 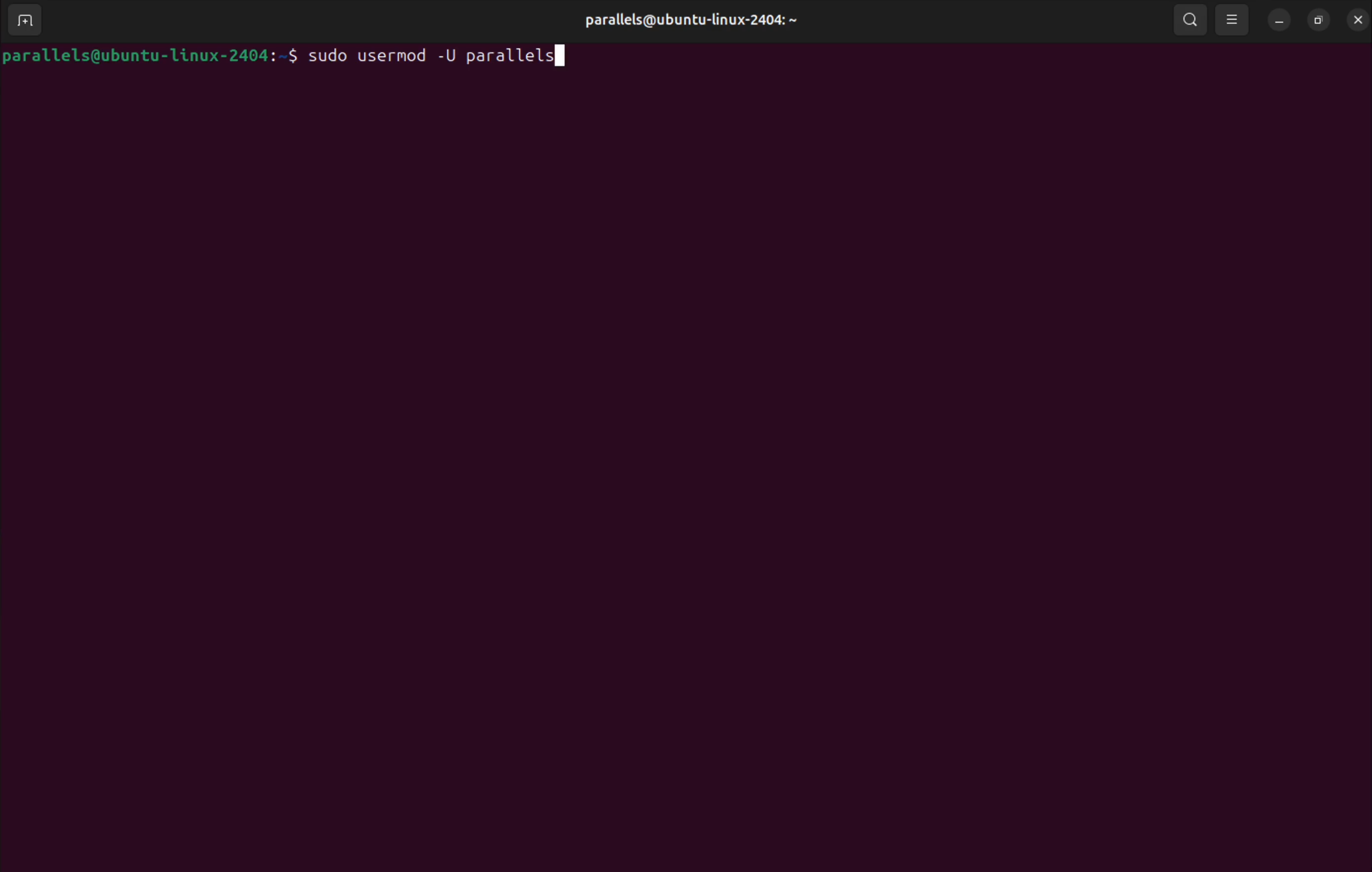 What do you see at coordinates (1317, 18) in the screenshot?
I see `resize` at bounding box center [1317, 18].